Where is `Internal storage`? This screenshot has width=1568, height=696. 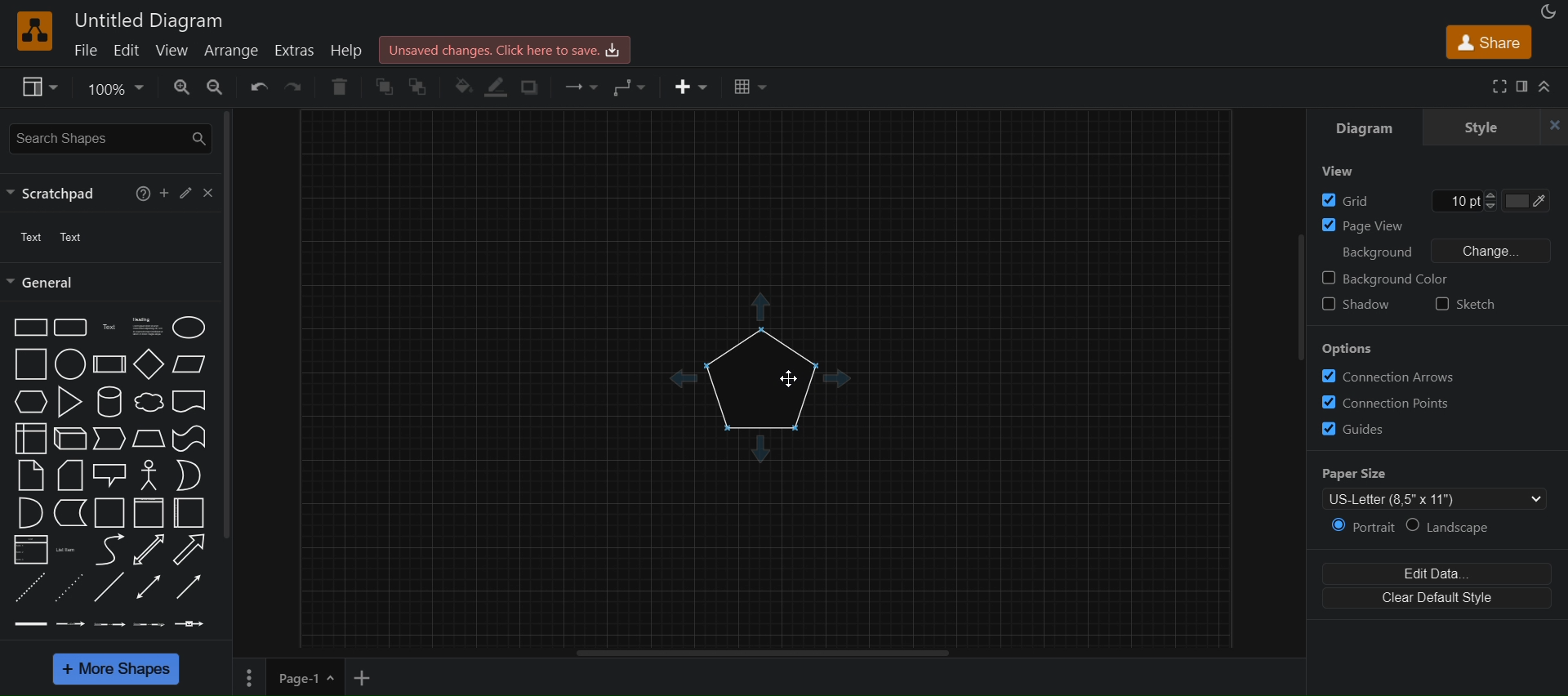 Internal storage is located at coordinates (30, 439).